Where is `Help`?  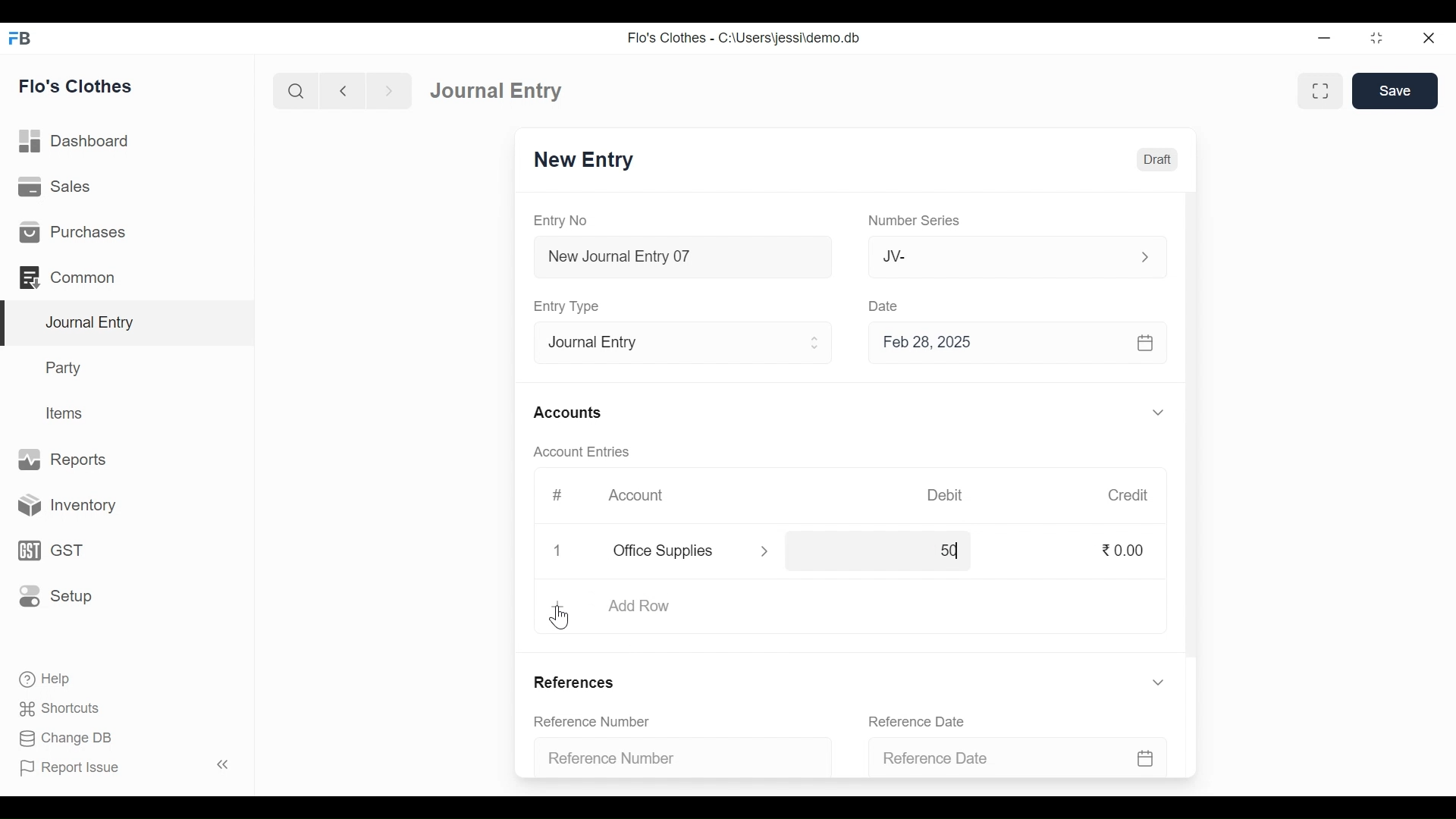 Help is located at coordinates (43, 677).